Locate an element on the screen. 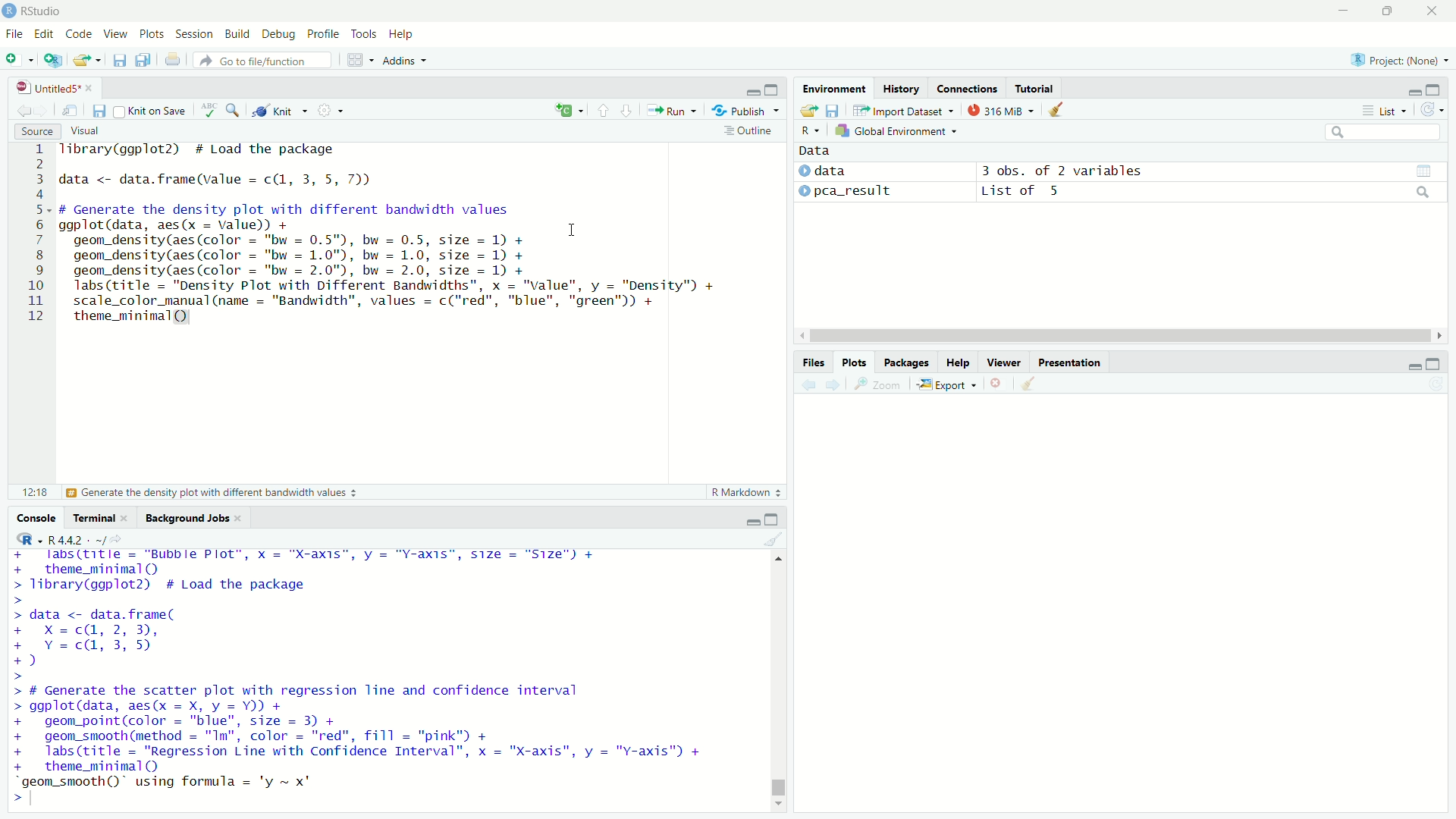 The height and width of the screenshot is (819, 1456). Save all open documents is located at coordinates (143, 60).